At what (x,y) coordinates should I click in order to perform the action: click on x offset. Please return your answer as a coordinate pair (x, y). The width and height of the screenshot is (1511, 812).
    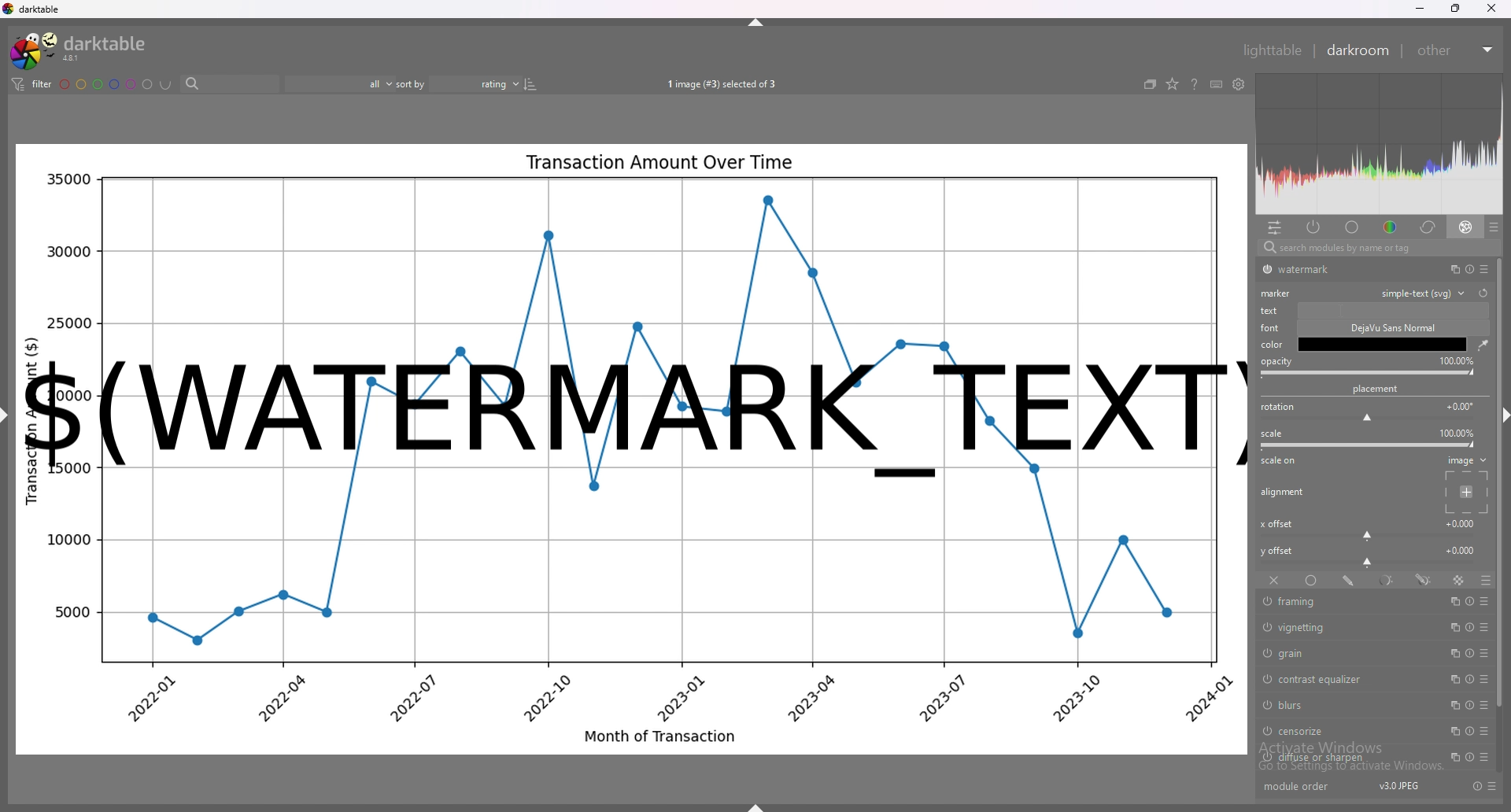
    Looking at the image, I should click on (1462, 522).